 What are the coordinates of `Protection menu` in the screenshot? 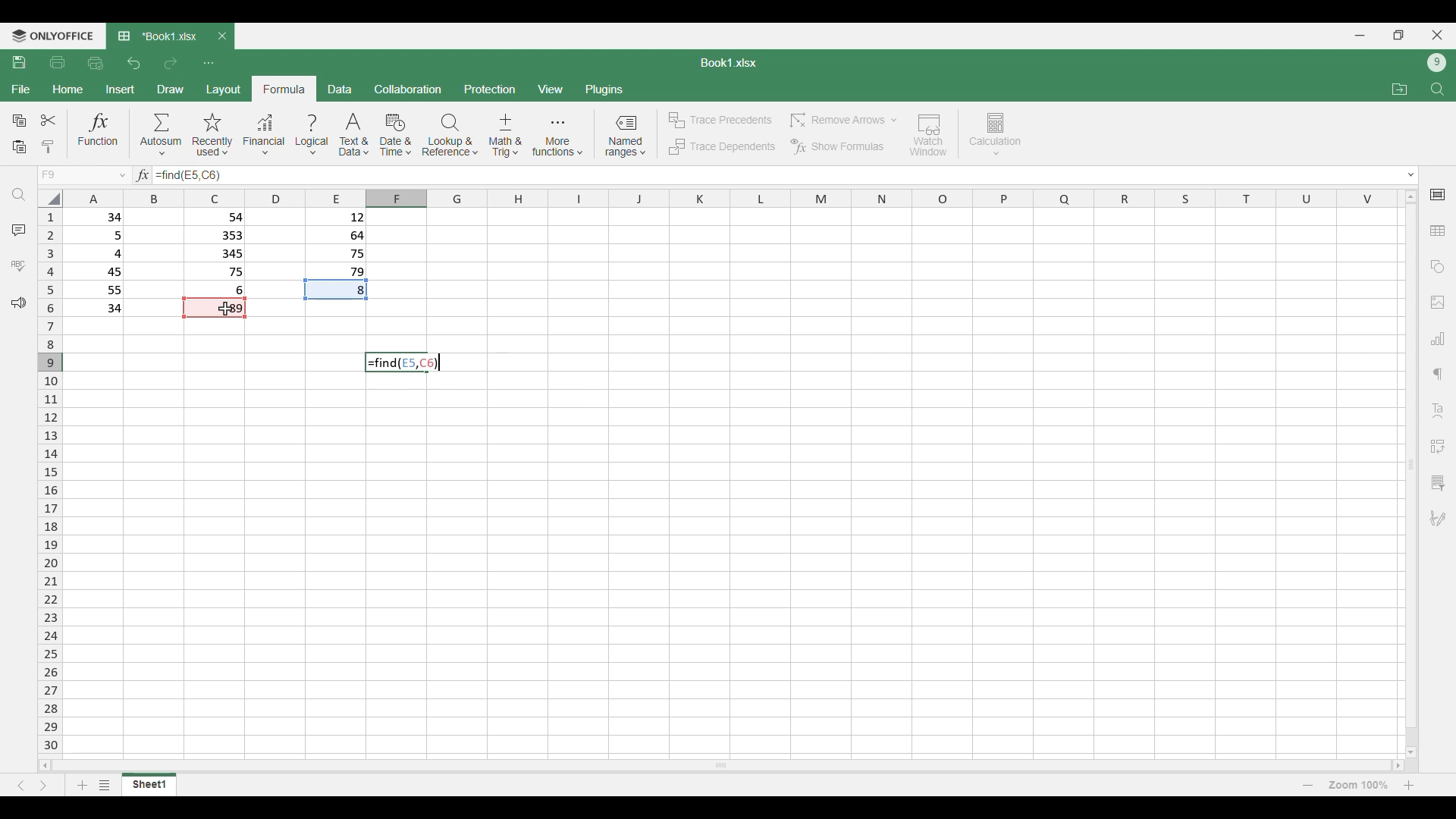 It's located at (490, 89).